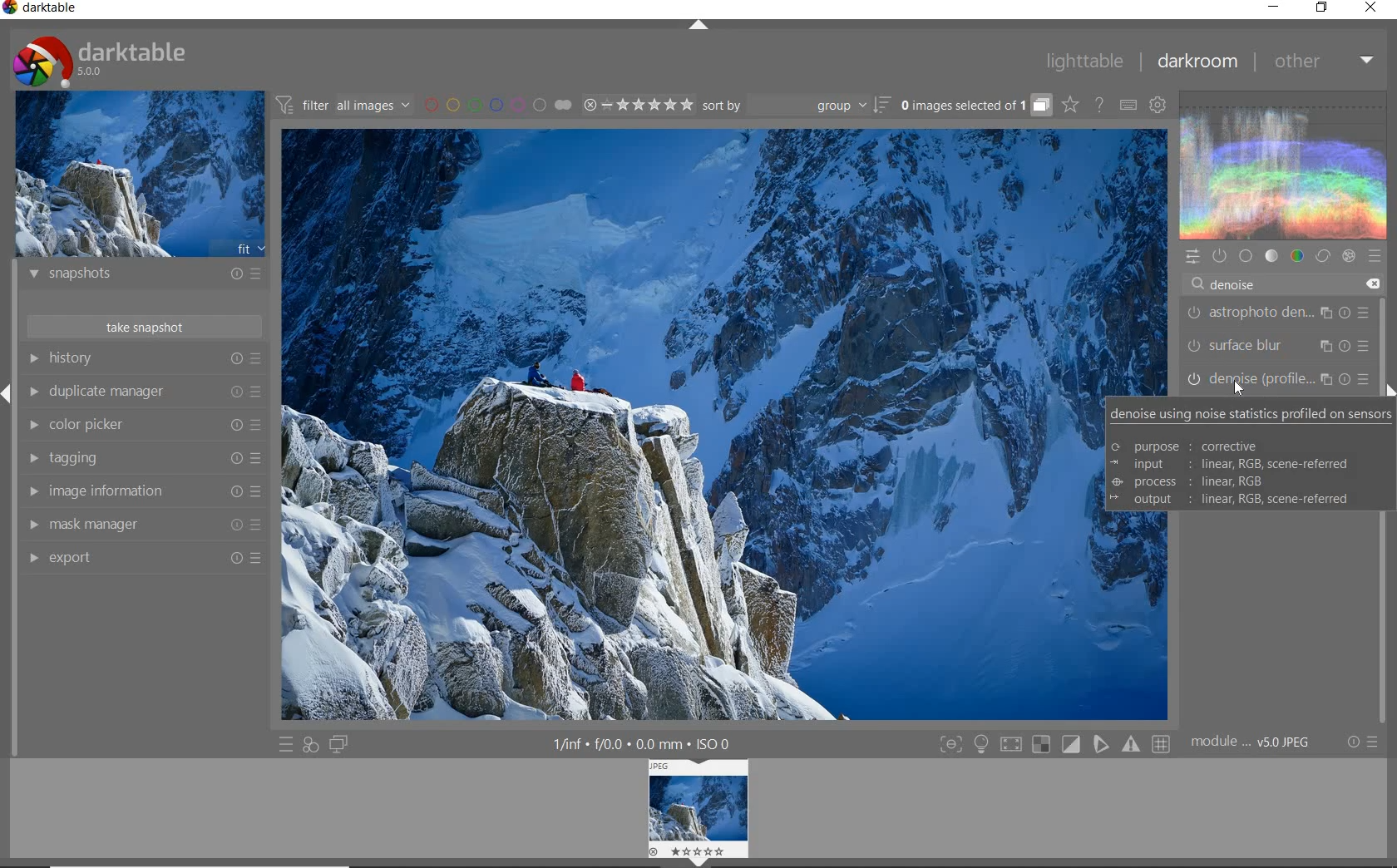 The width and height of the screenshot is (1397, 868). I want to click on enable online help, so click(1101, 106).